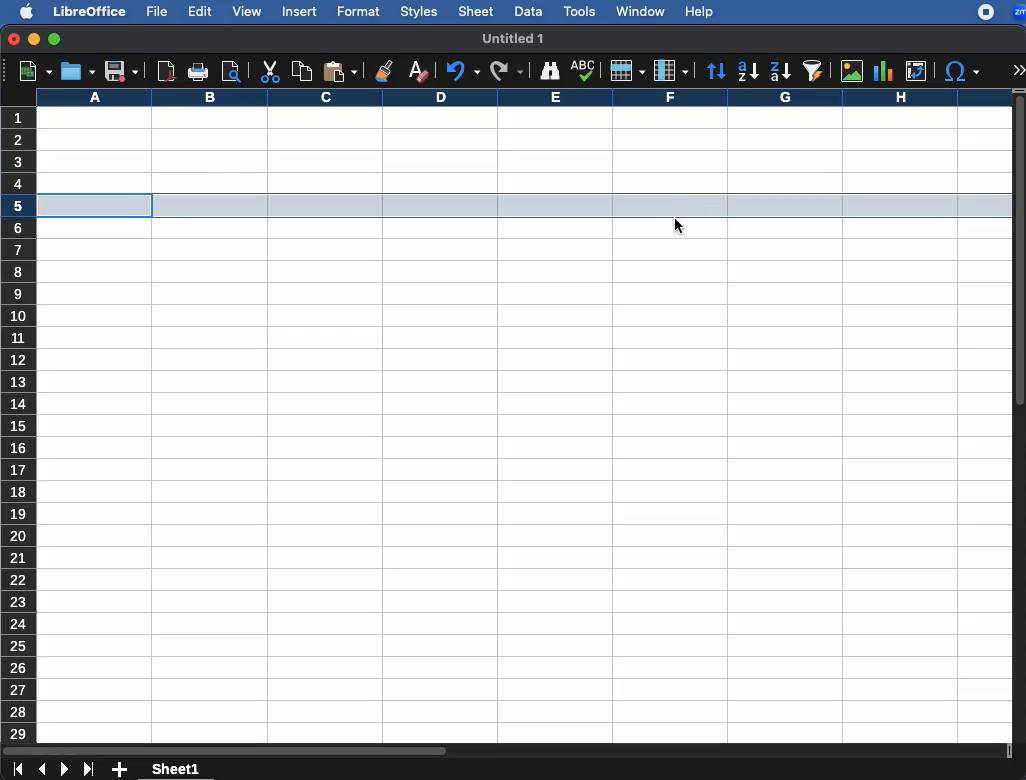 This screenshot has width=1026, height=780. Describe the element at coordinates (886, 70) in the screenshot. I see `chart` at that location.